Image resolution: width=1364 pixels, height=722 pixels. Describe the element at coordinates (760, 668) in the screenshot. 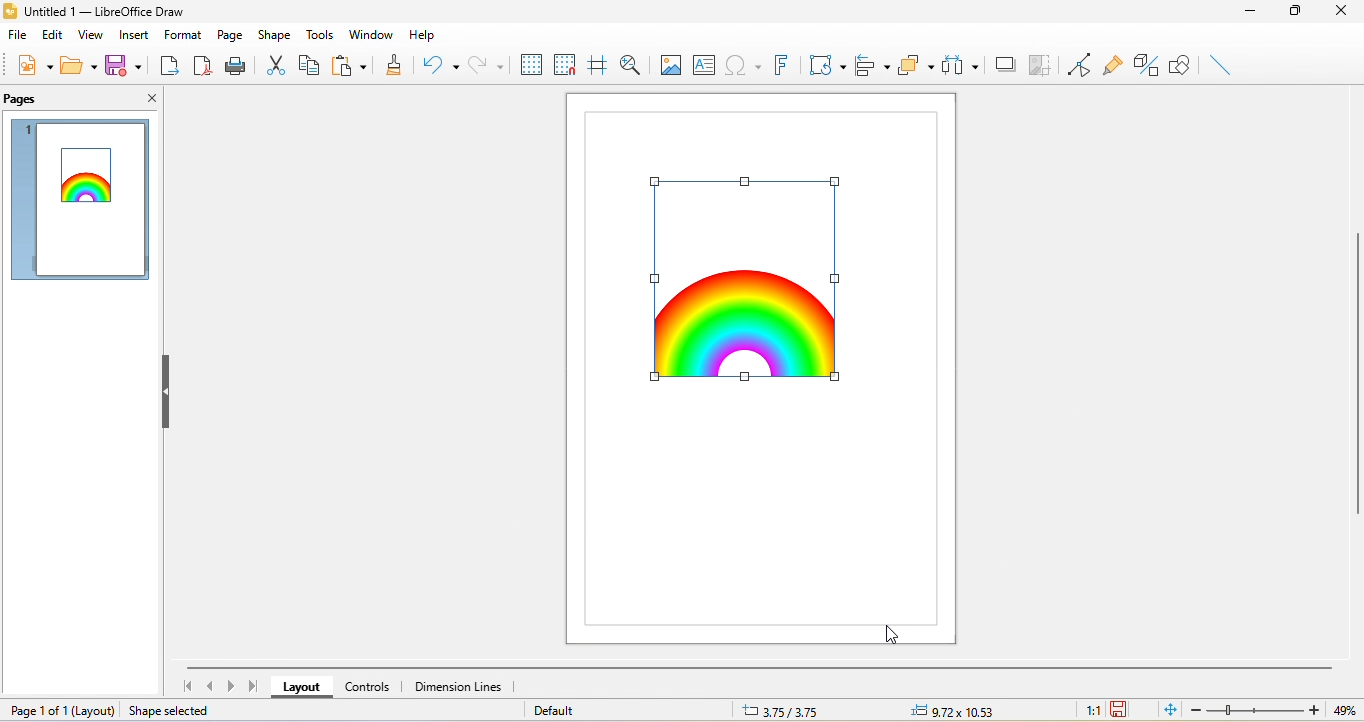

I see `horizontal scroll bar` at that location.